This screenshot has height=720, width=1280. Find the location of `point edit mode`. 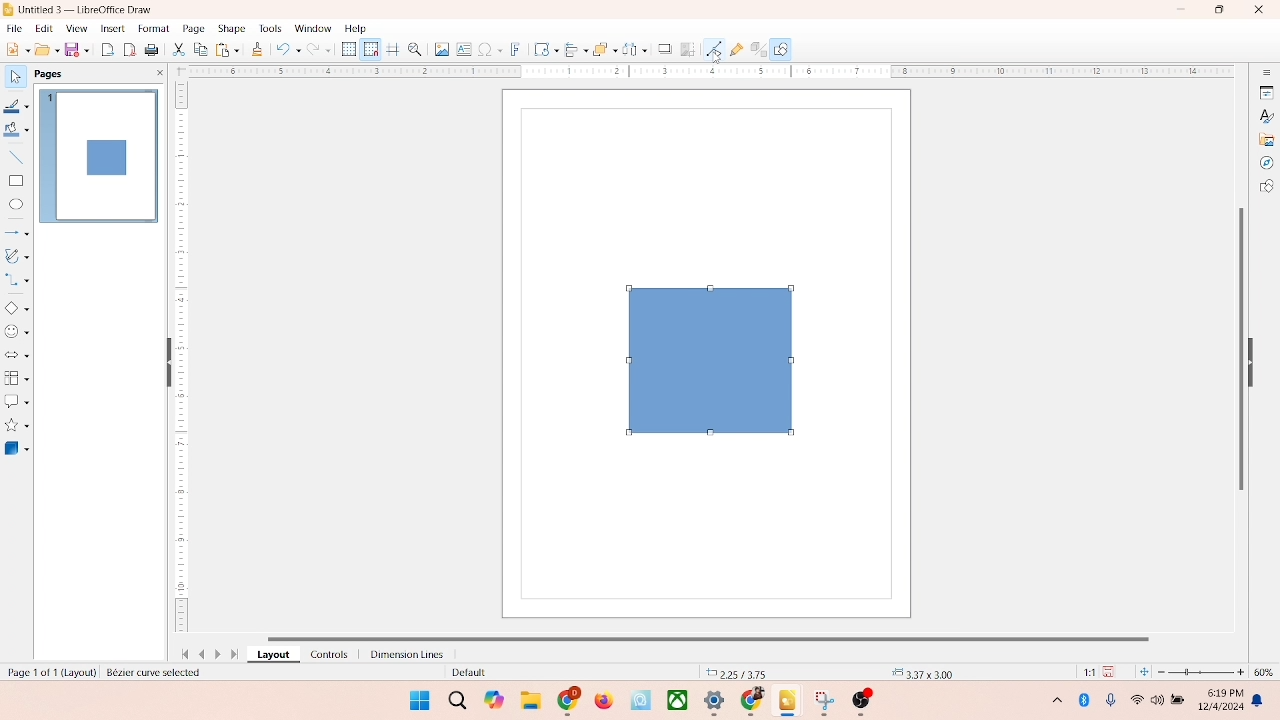

point edit mode is located at coordinates (714, 48).